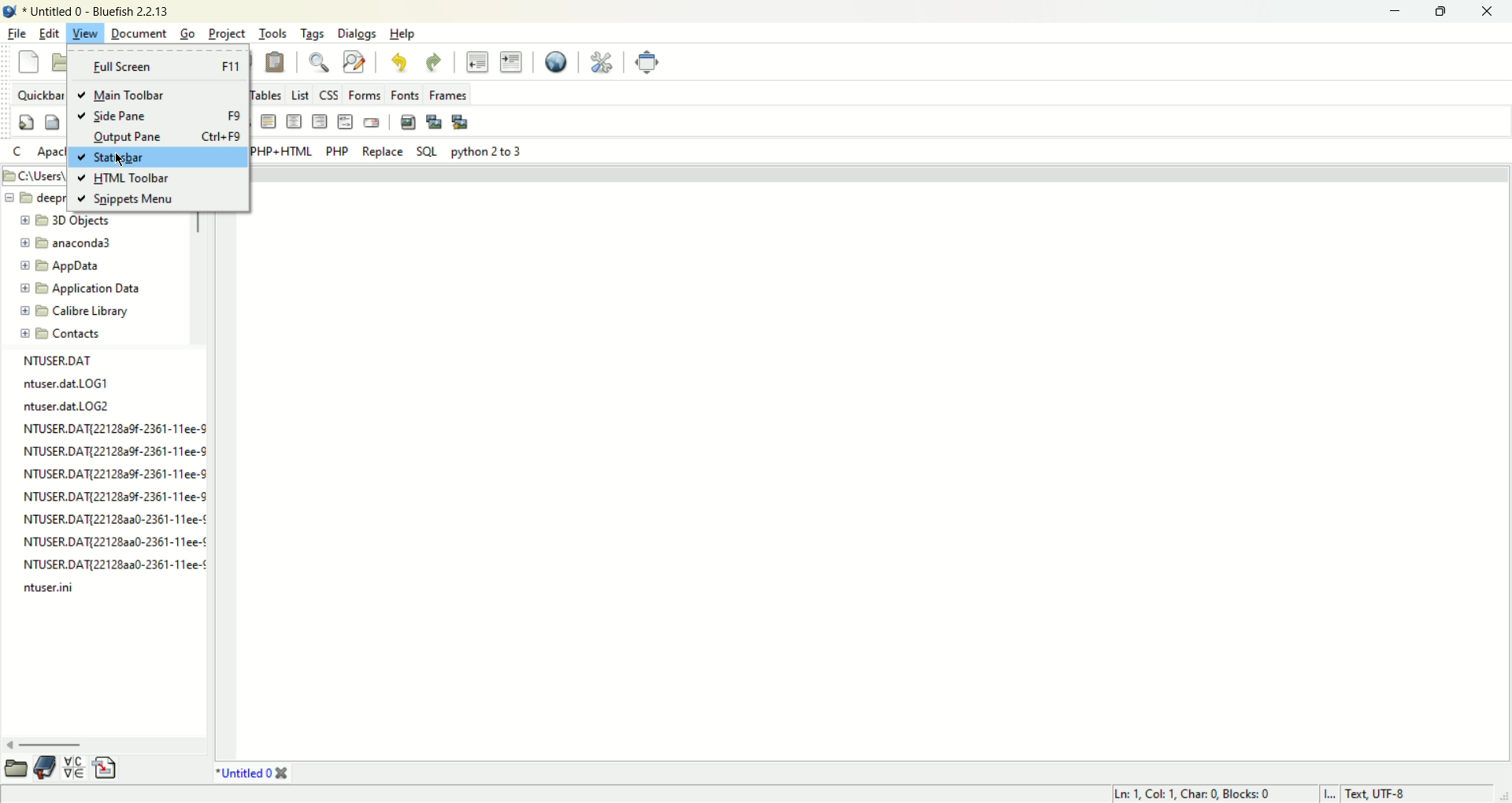 This screenshot has width=1512, height=803. Describe the element at coordinates (398, 63) in the screenshot. I see `undo ` at that location.